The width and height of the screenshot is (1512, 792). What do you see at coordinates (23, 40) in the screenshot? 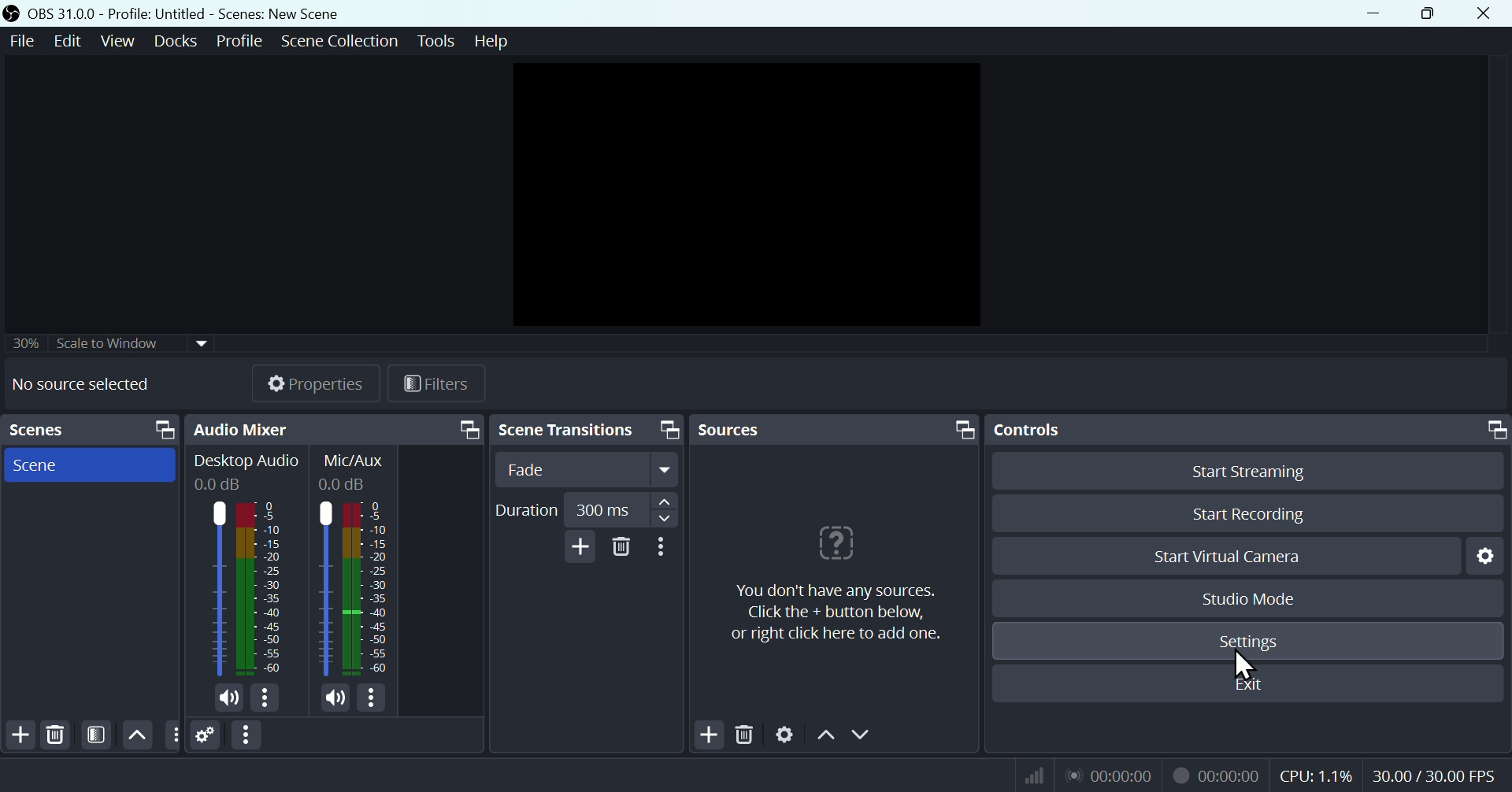
I see `File` at bounding box center [23, 40].